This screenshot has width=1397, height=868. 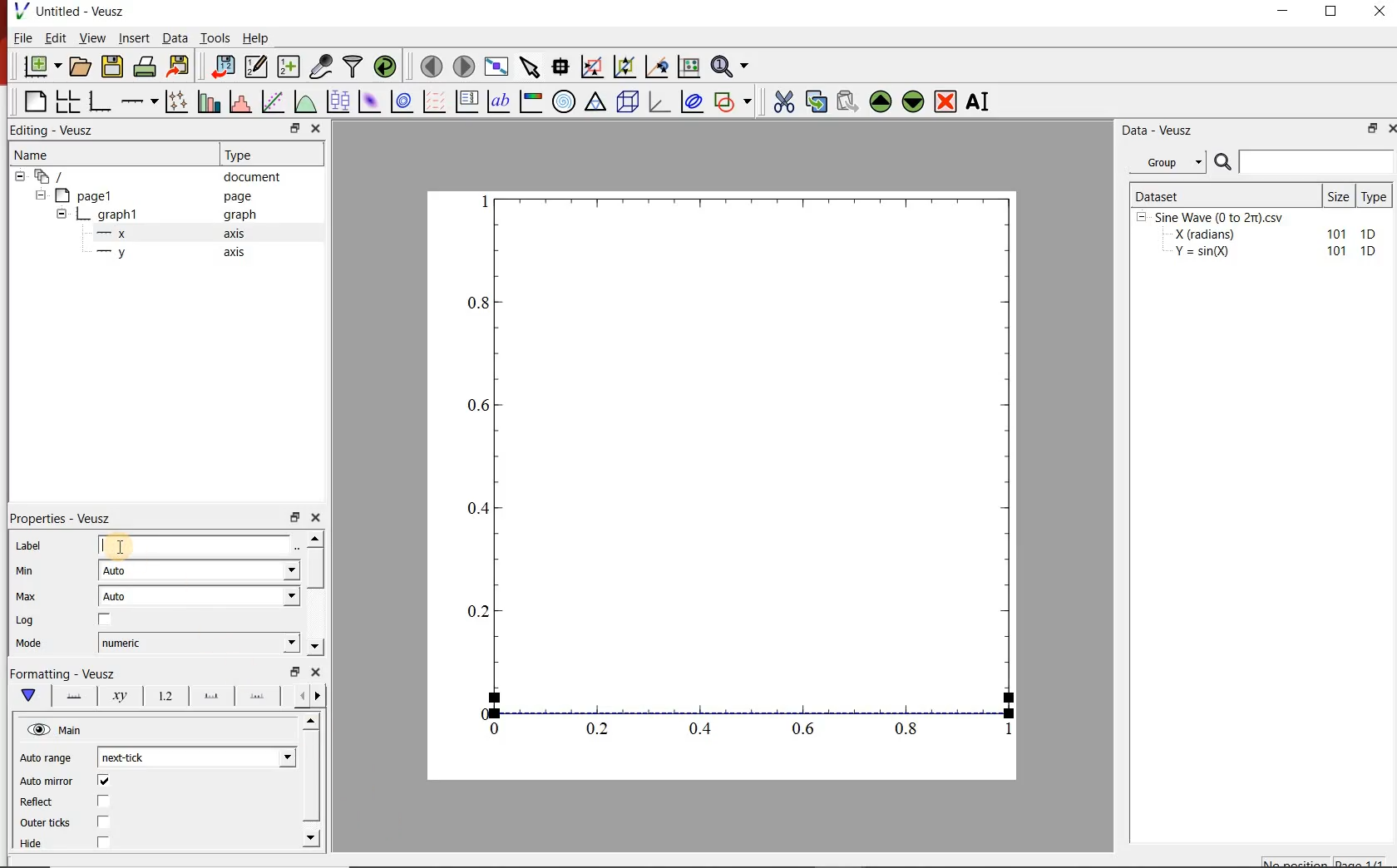 I want to click on axis, so click(x=235, y=233).